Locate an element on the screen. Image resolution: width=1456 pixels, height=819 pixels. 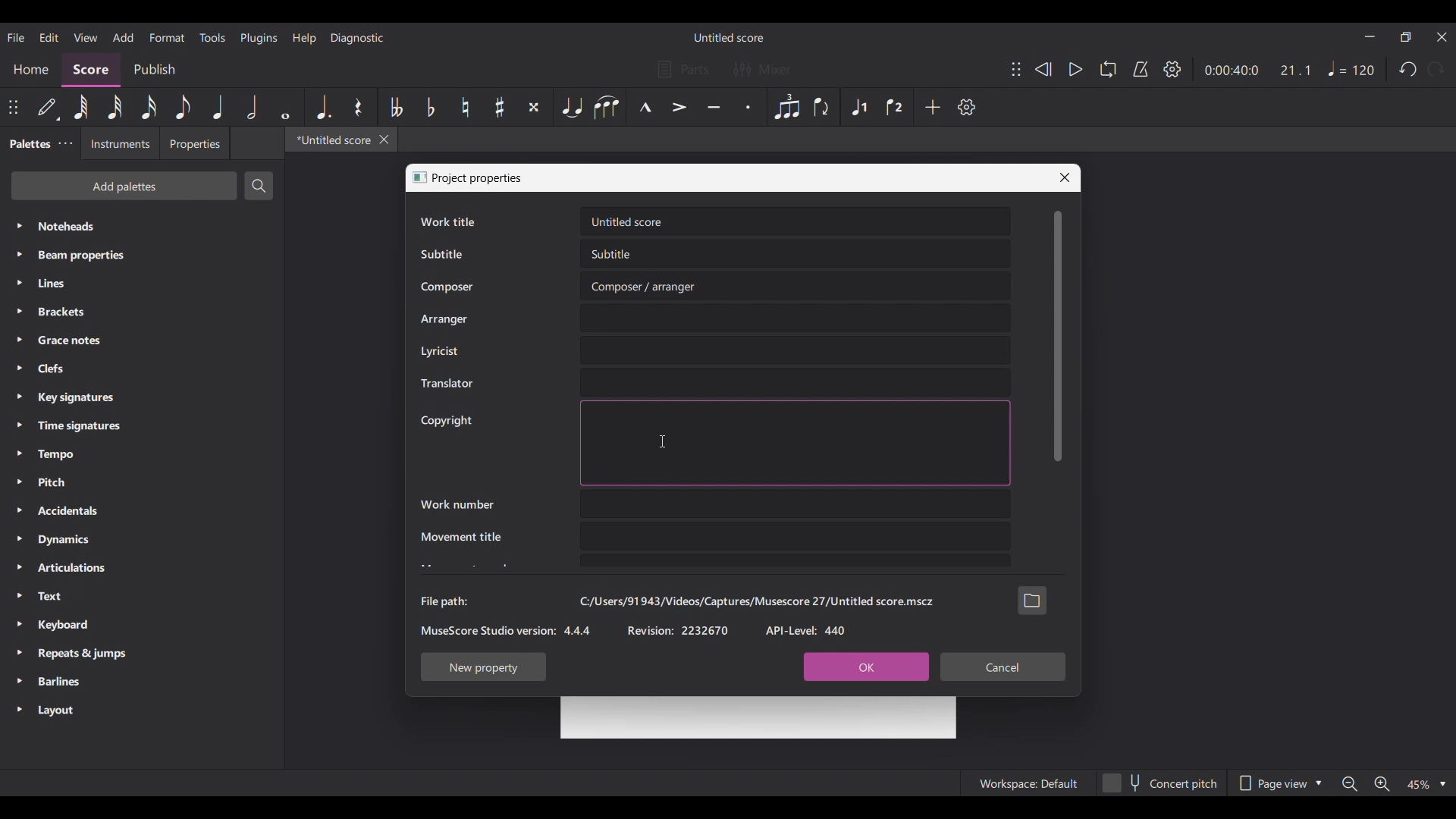
Whole note is located at coordinates (285, 107).